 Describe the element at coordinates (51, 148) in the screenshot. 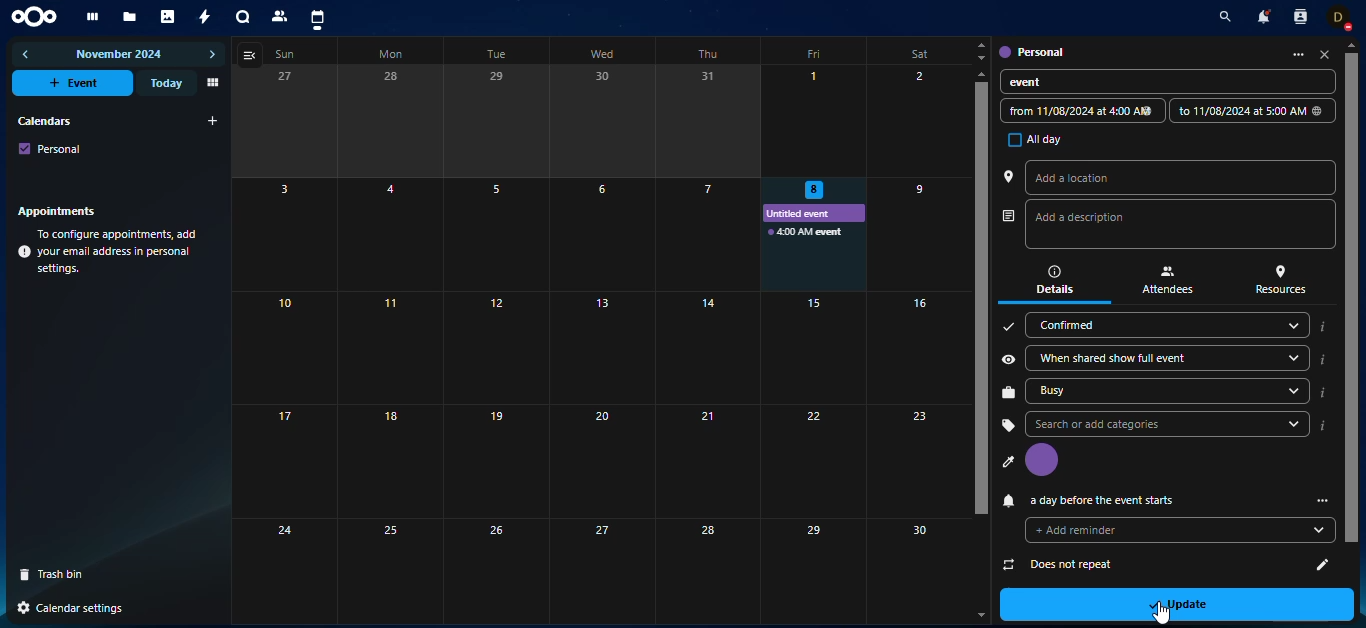

I see `personal` at that location.